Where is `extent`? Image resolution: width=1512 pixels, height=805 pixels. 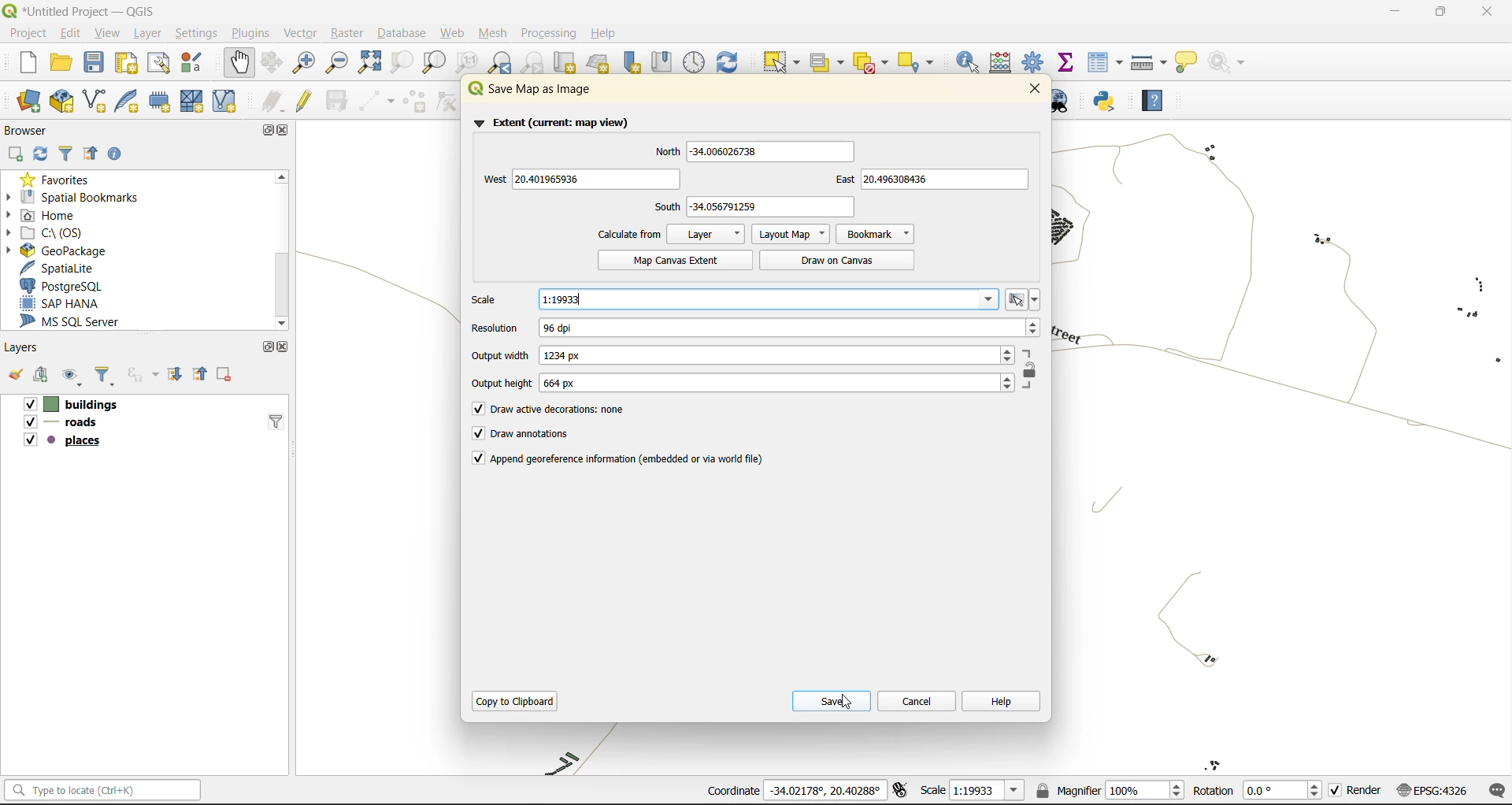
extent is located at coordinates (558, 122).